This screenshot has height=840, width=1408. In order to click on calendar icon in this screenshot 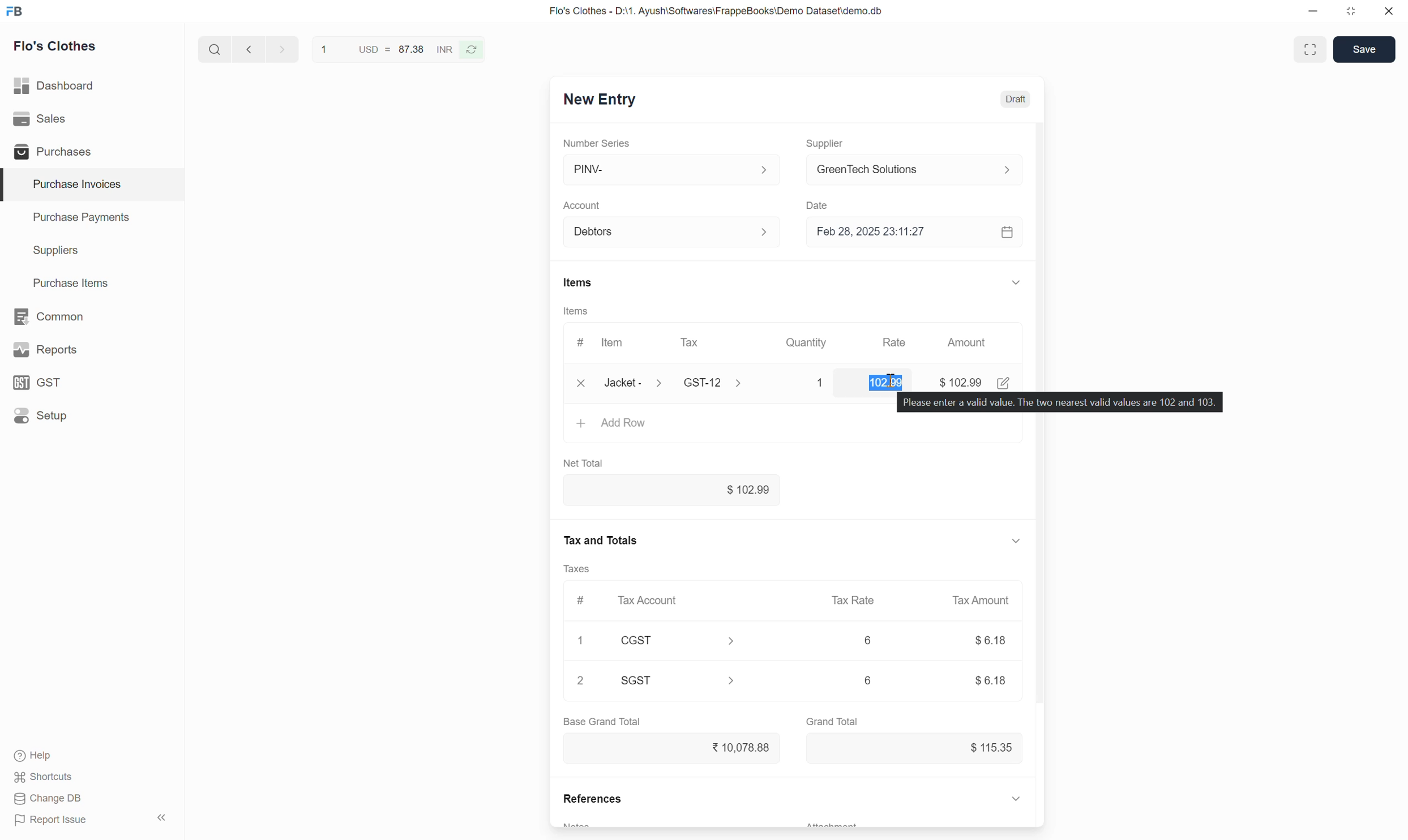, I will do `click(1009, 232)`.